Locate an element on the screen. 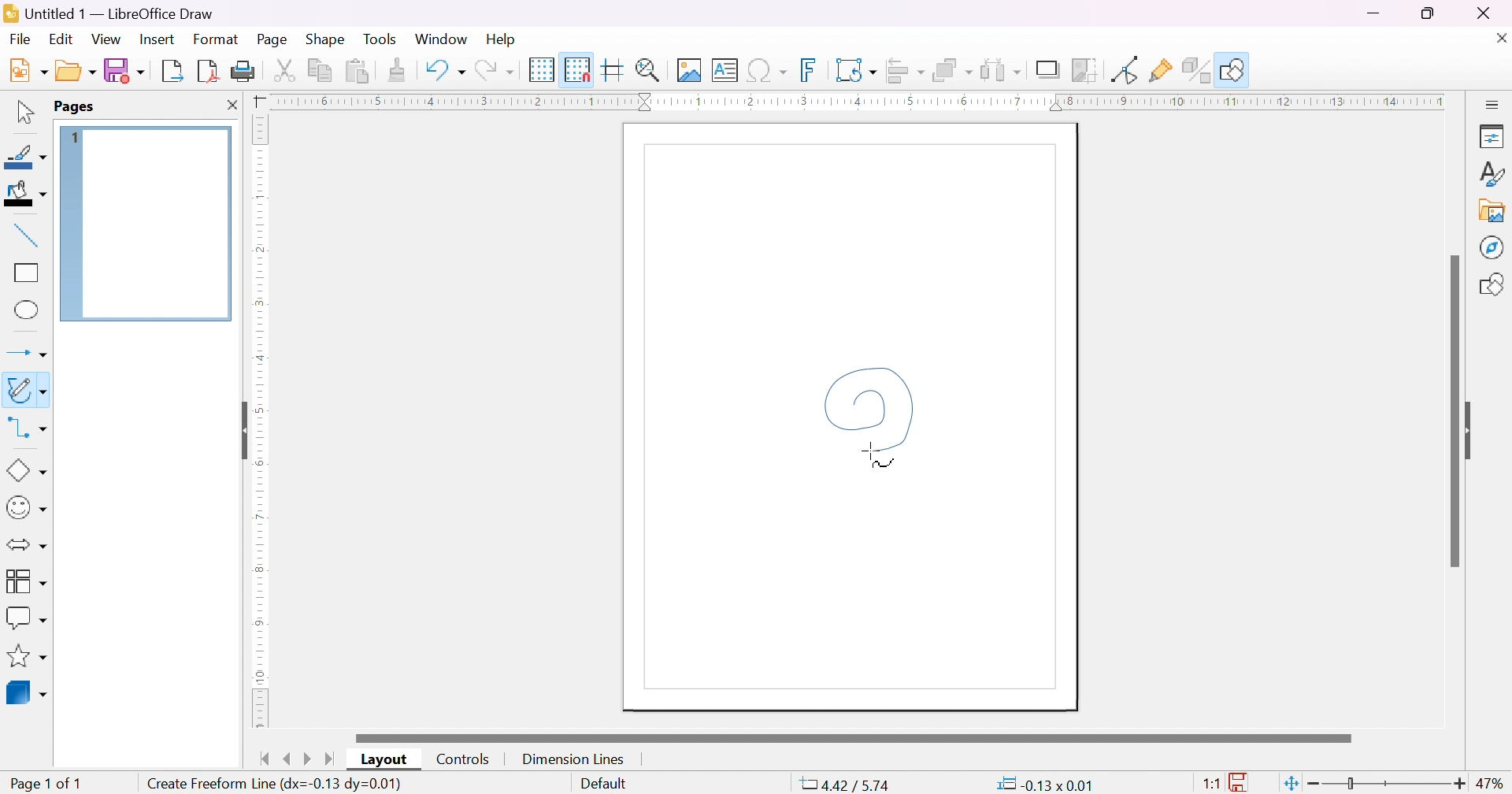 This screenshot has width=1512, height=794. styles is located at coordinates (1492, 173).